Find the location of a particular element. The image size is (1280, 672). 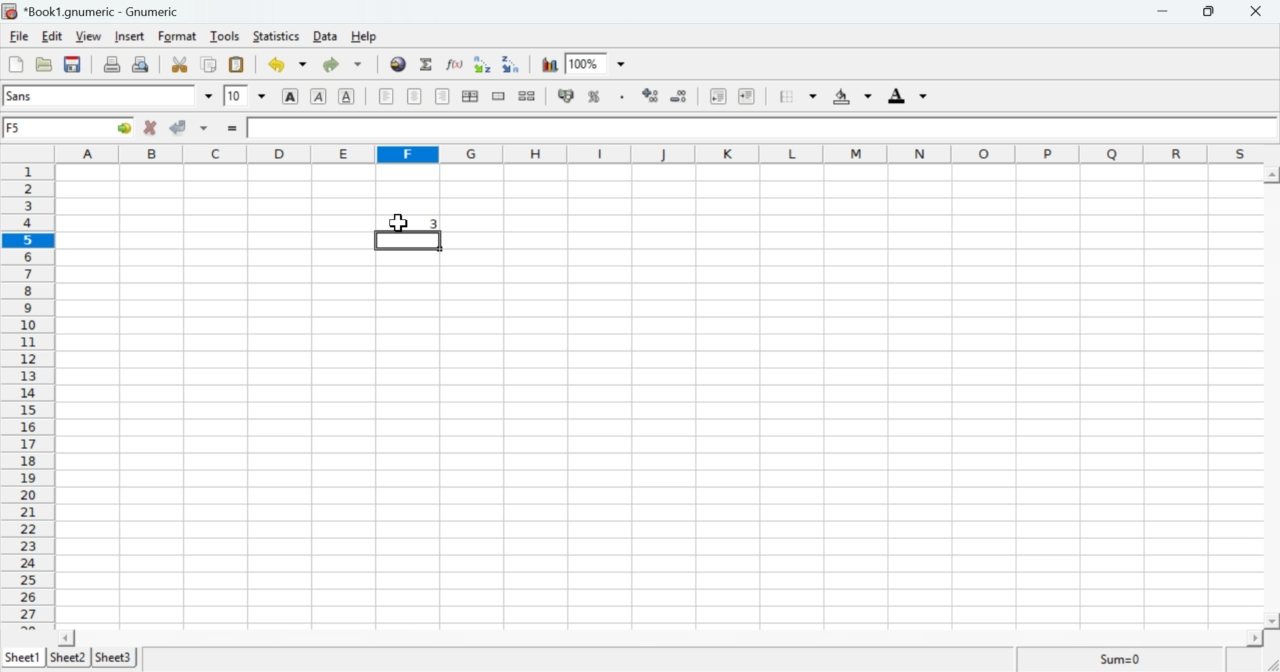

Sheet1 is located at coordinates (23, 652).